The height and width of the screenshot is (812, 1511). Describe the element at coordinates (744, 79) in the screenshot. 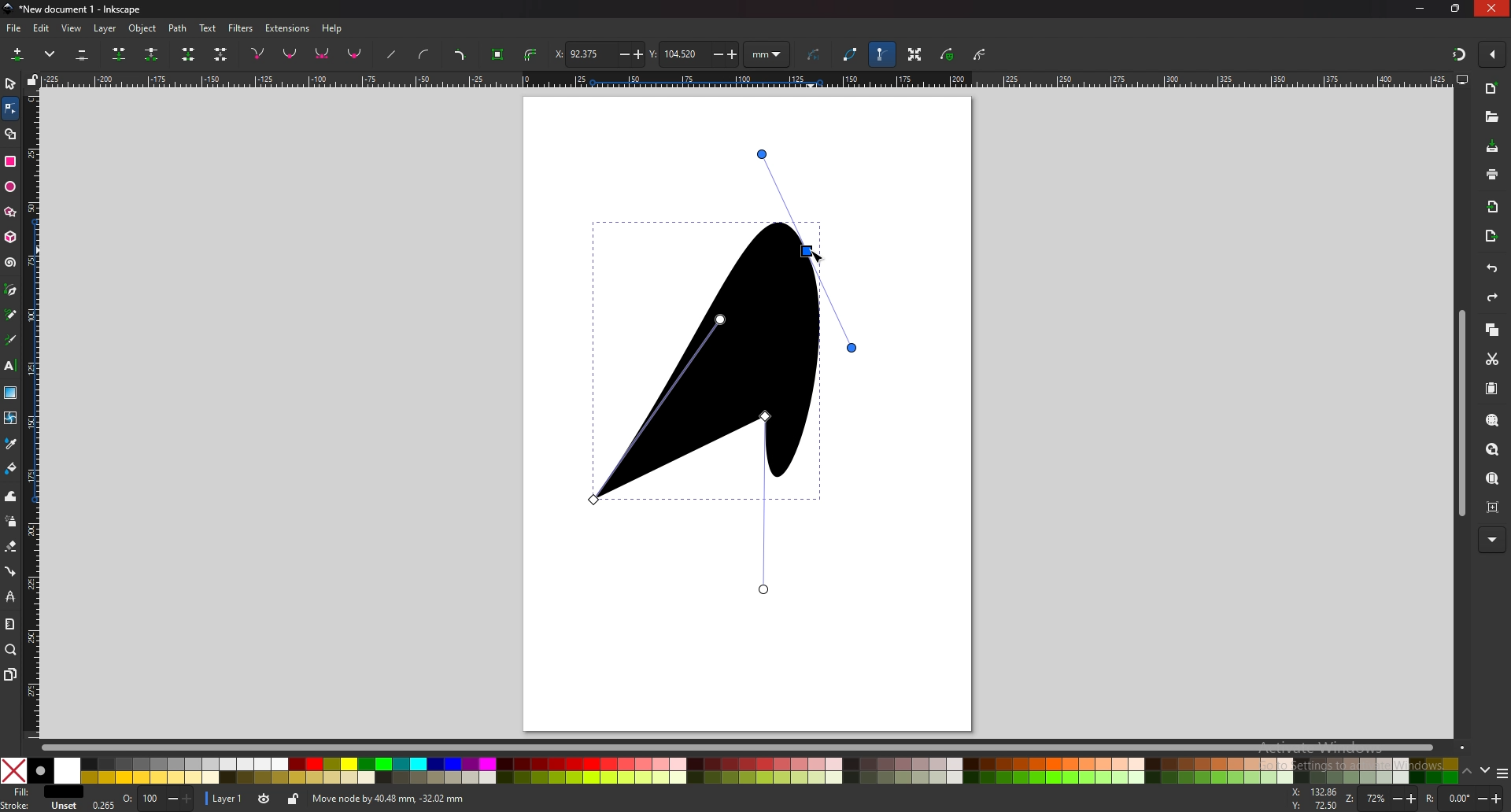

I see `horizontal scale` at that location.